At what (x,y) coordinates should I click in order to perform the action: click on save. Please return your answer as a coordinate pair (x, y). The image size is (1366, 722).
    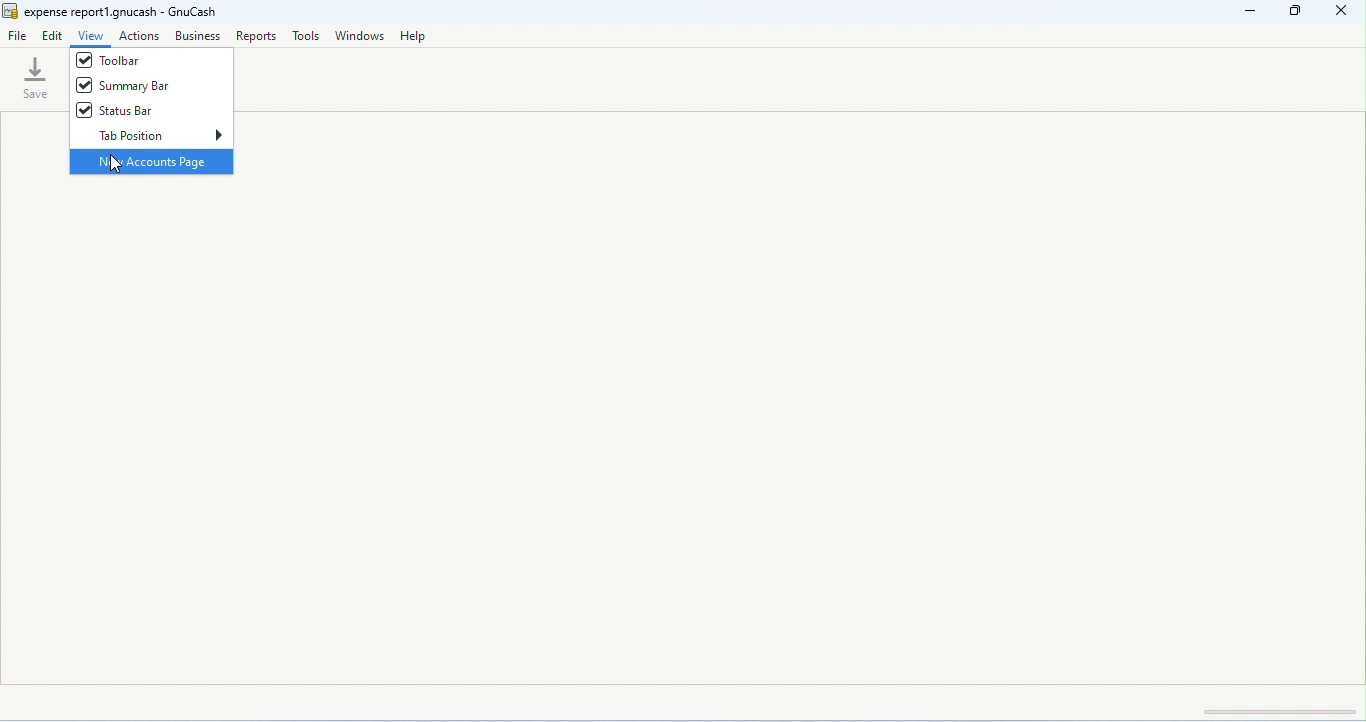
    Looking at the image, I should click on (38, 77).